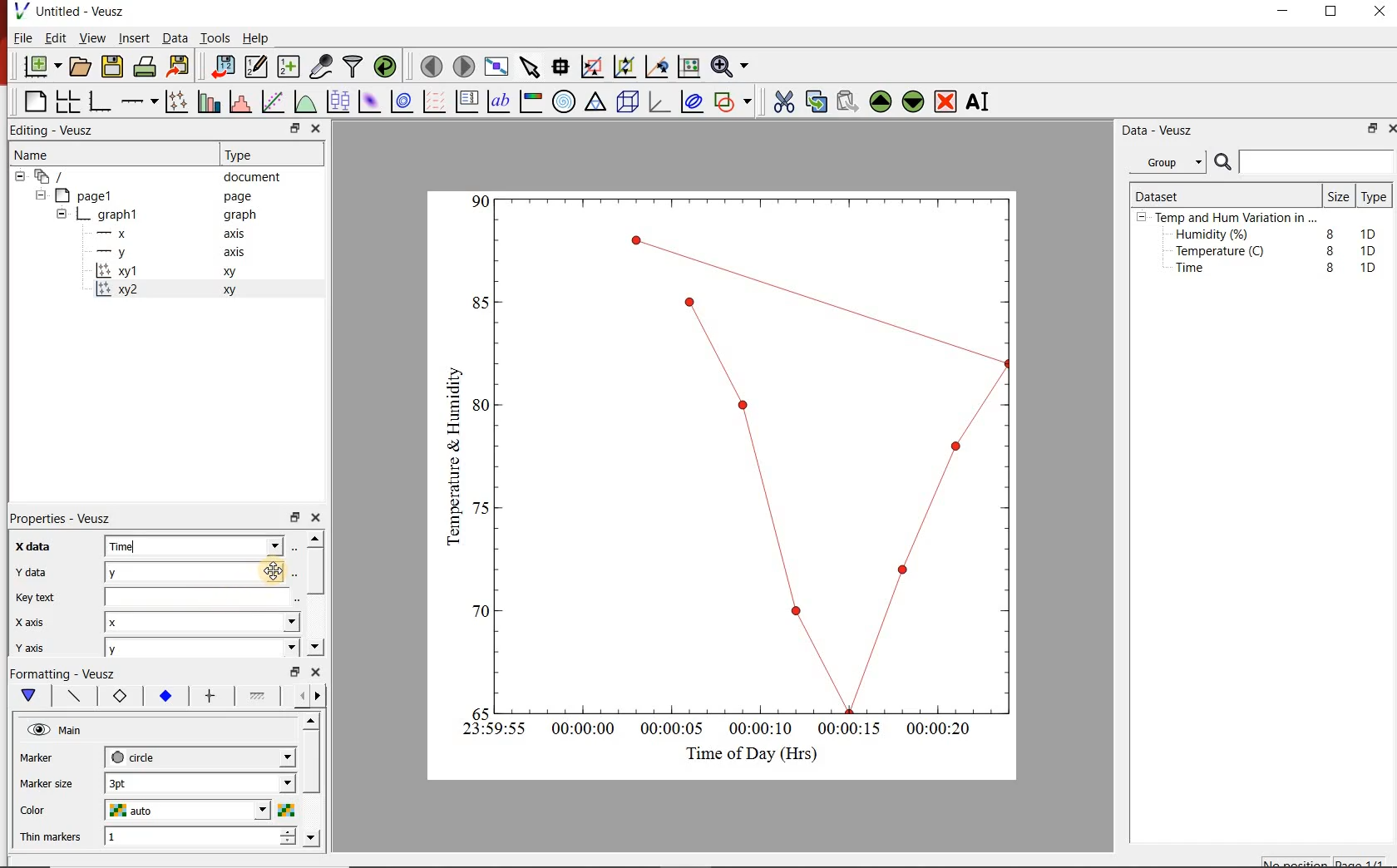 The image size is (1397, 868). I want to click on capture remote data, so click(320, 65).